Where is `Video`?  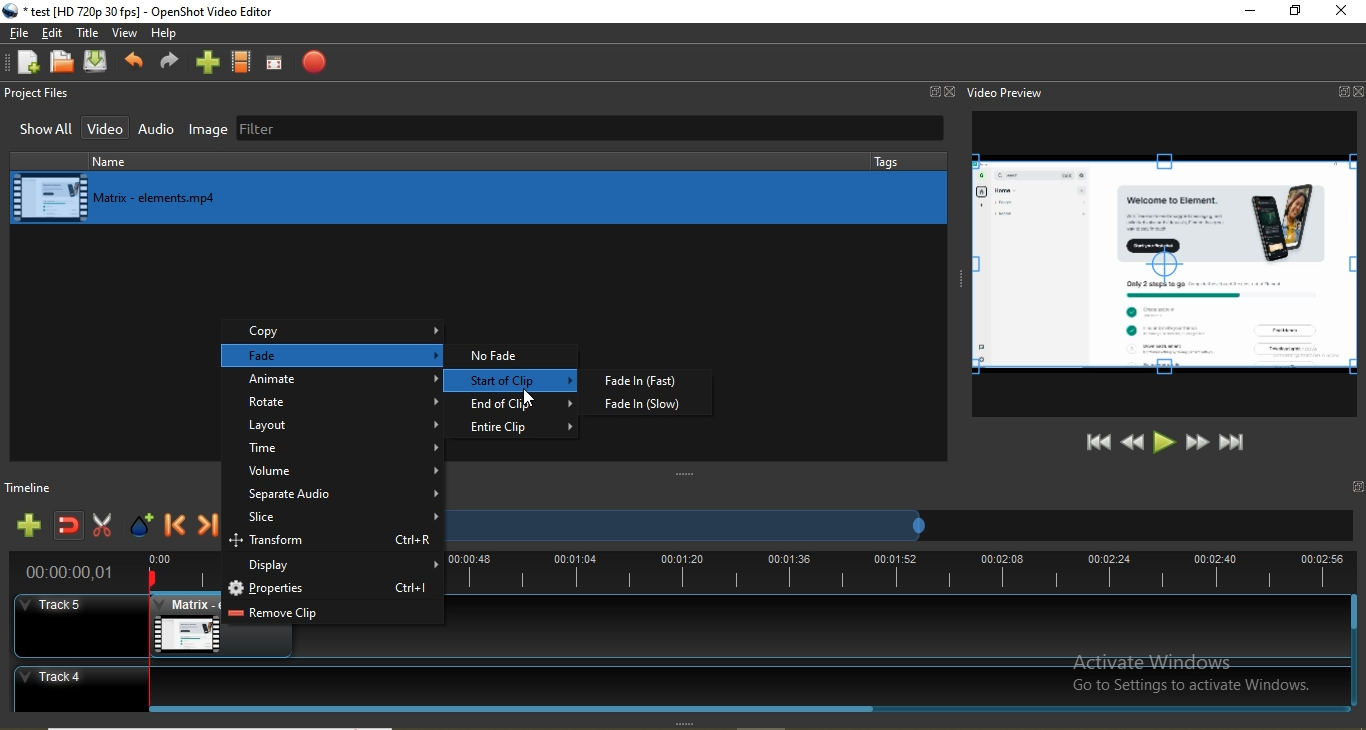 Video is located at coordinates (107, 128).